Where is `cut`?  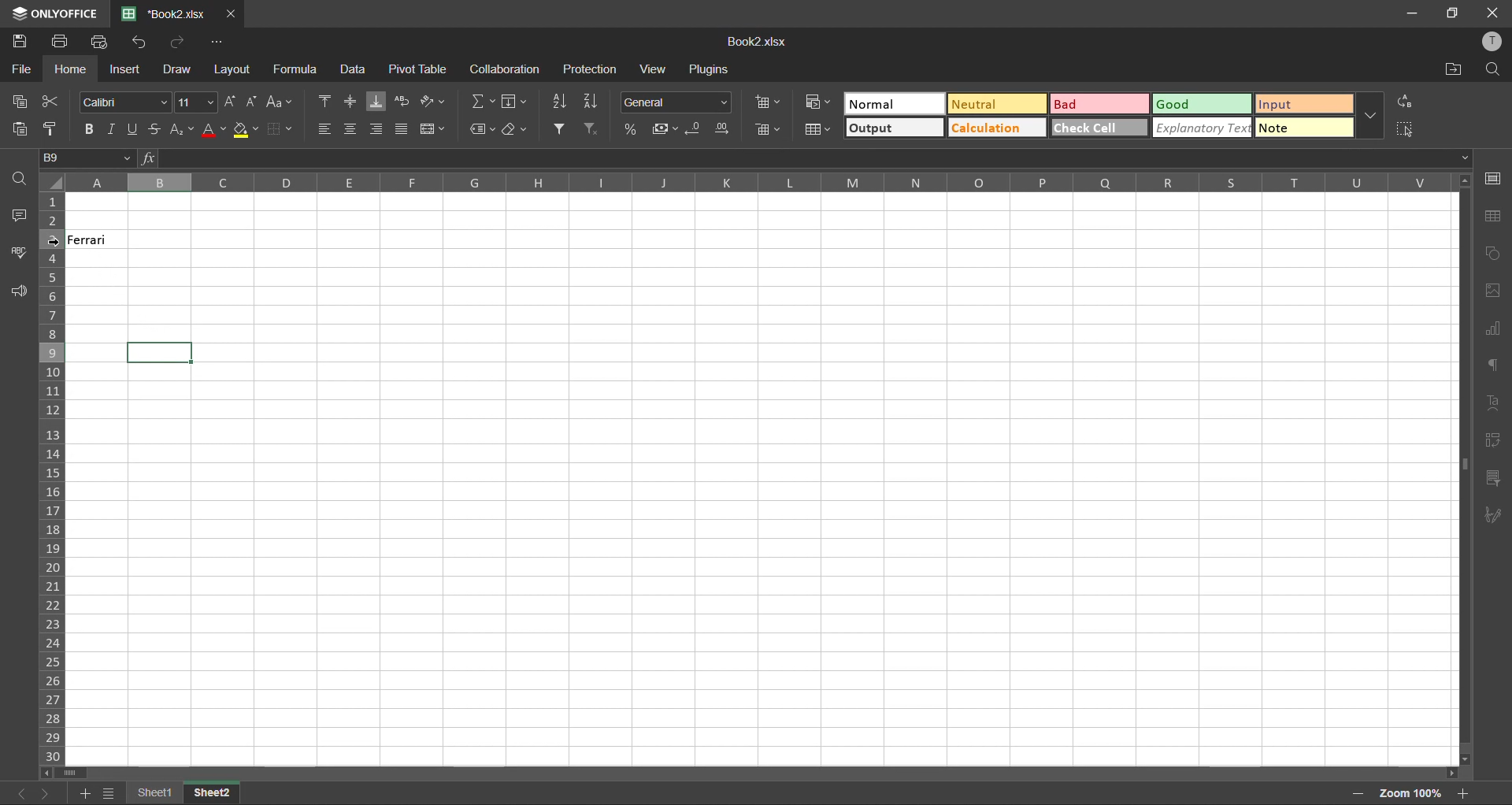 cut is located at coordinates (54, 99).